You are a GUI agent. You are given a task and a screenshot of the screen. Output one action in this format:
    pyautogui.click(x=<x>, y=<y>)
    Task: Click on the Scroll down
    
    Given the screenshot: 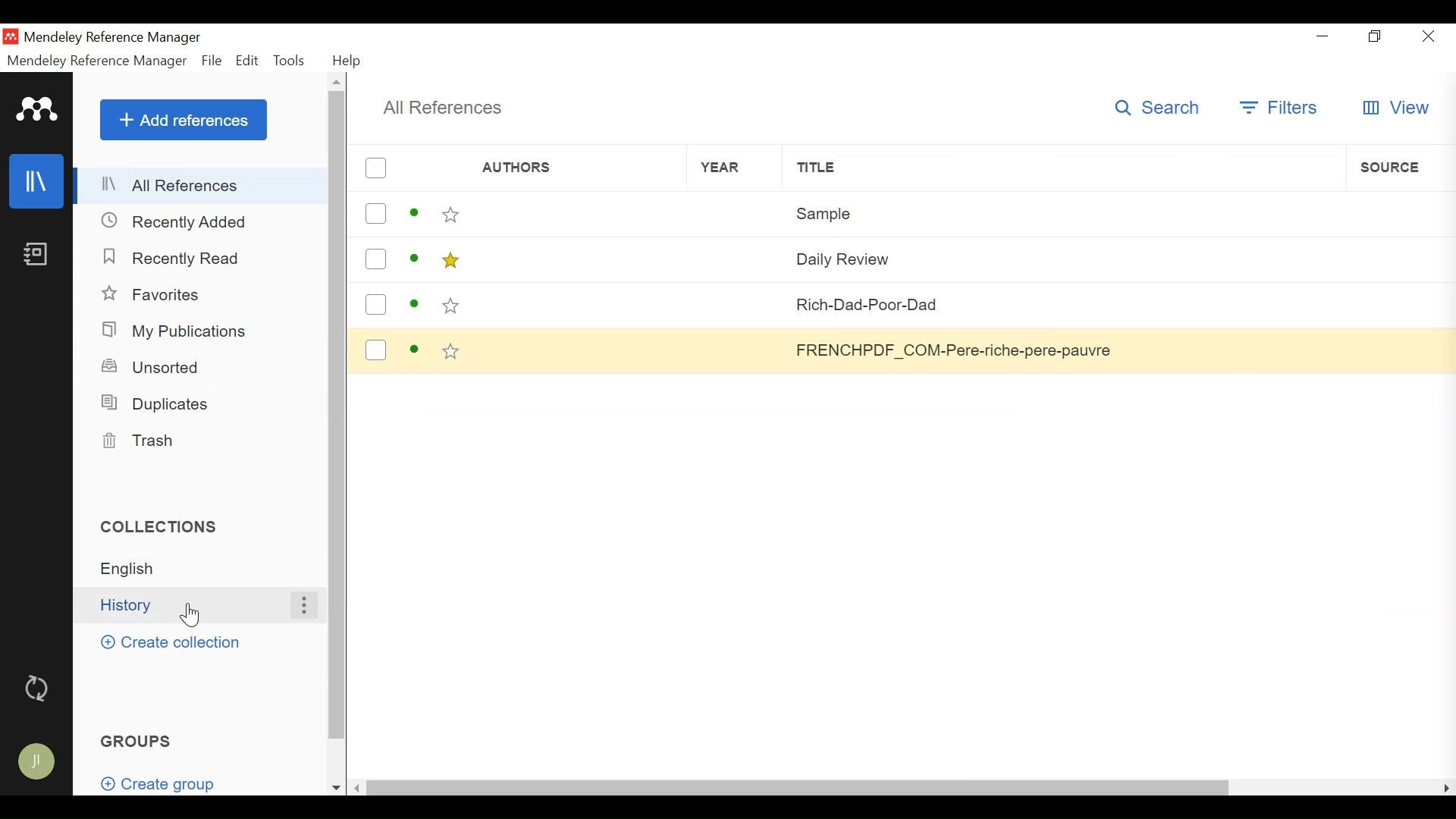 What is the action you would take?
    pyautogui.click(x=336, y=788)
    